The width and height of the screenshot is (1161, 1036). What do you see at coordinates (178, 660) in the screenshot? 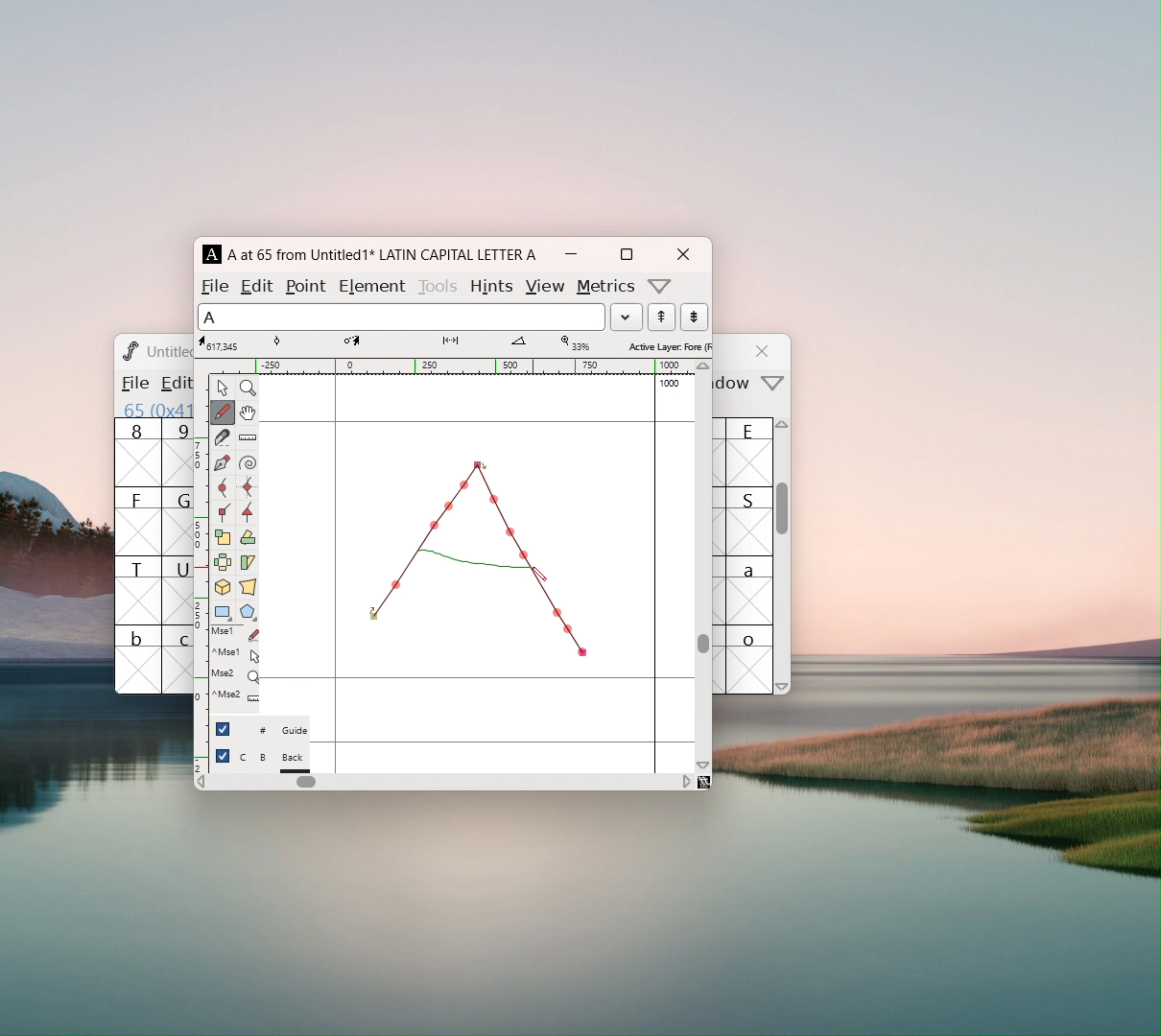
I see `c` at bounding box center [178, 660].